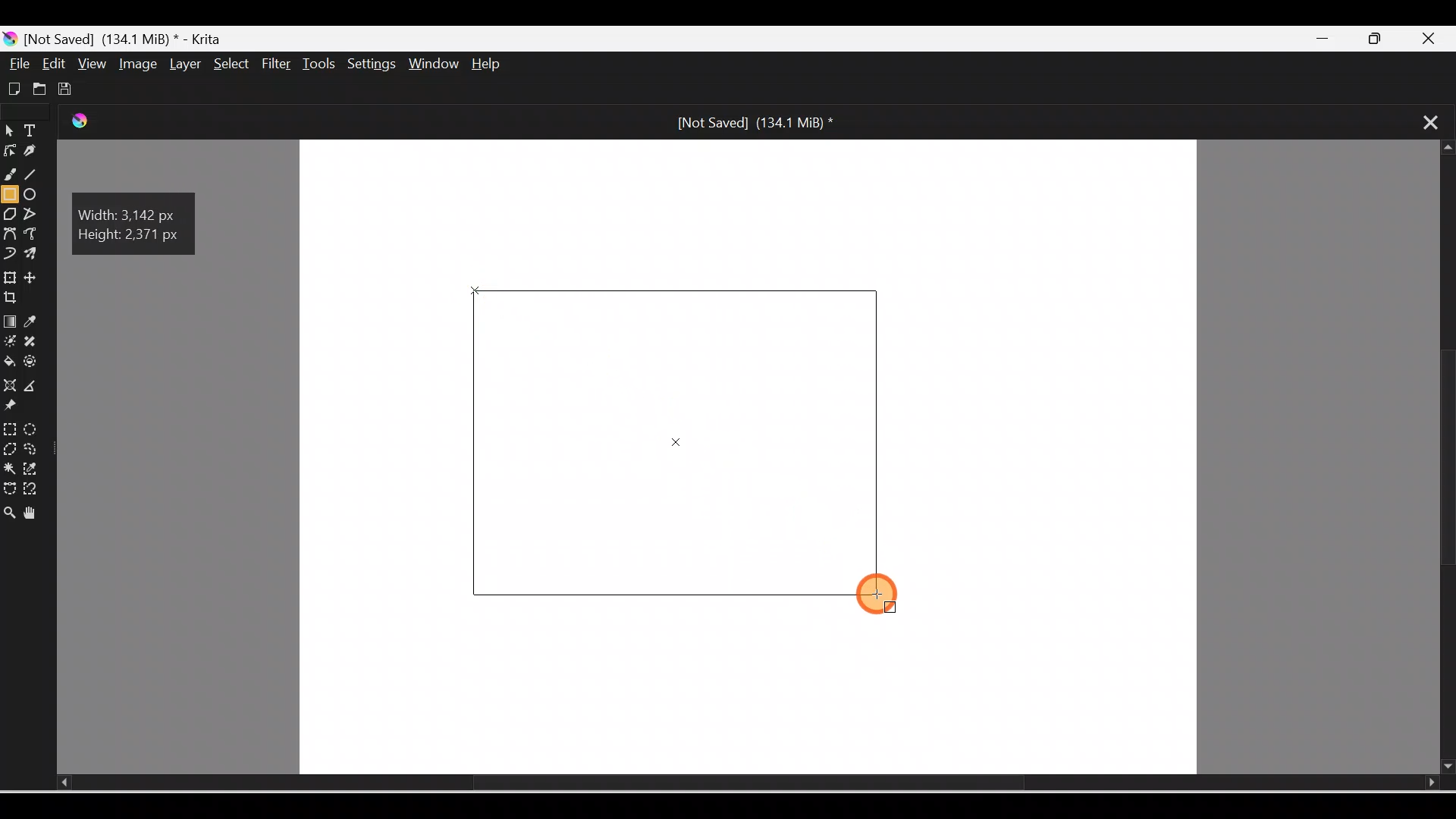  I want to click on Window, so click(436, 65).